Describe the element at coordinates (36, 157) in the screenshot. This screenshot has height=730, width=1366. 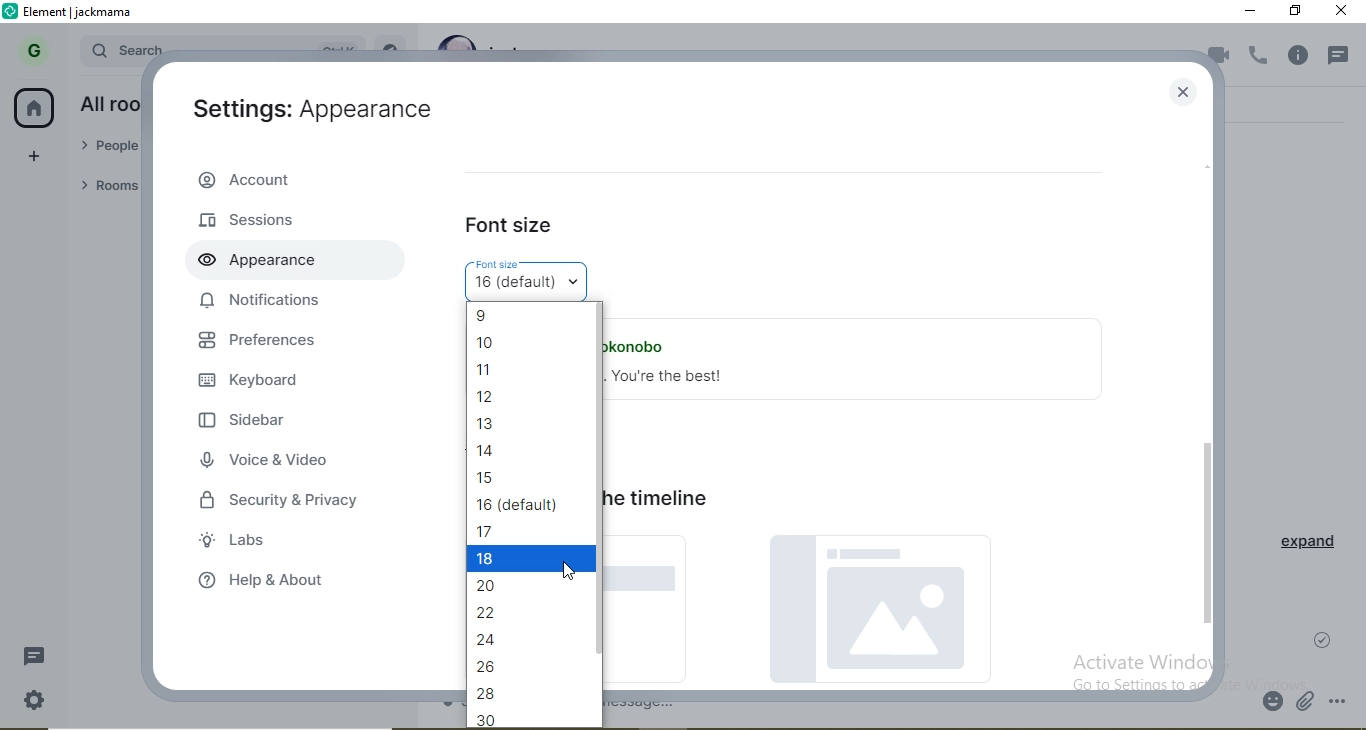
I see `add` at that location.